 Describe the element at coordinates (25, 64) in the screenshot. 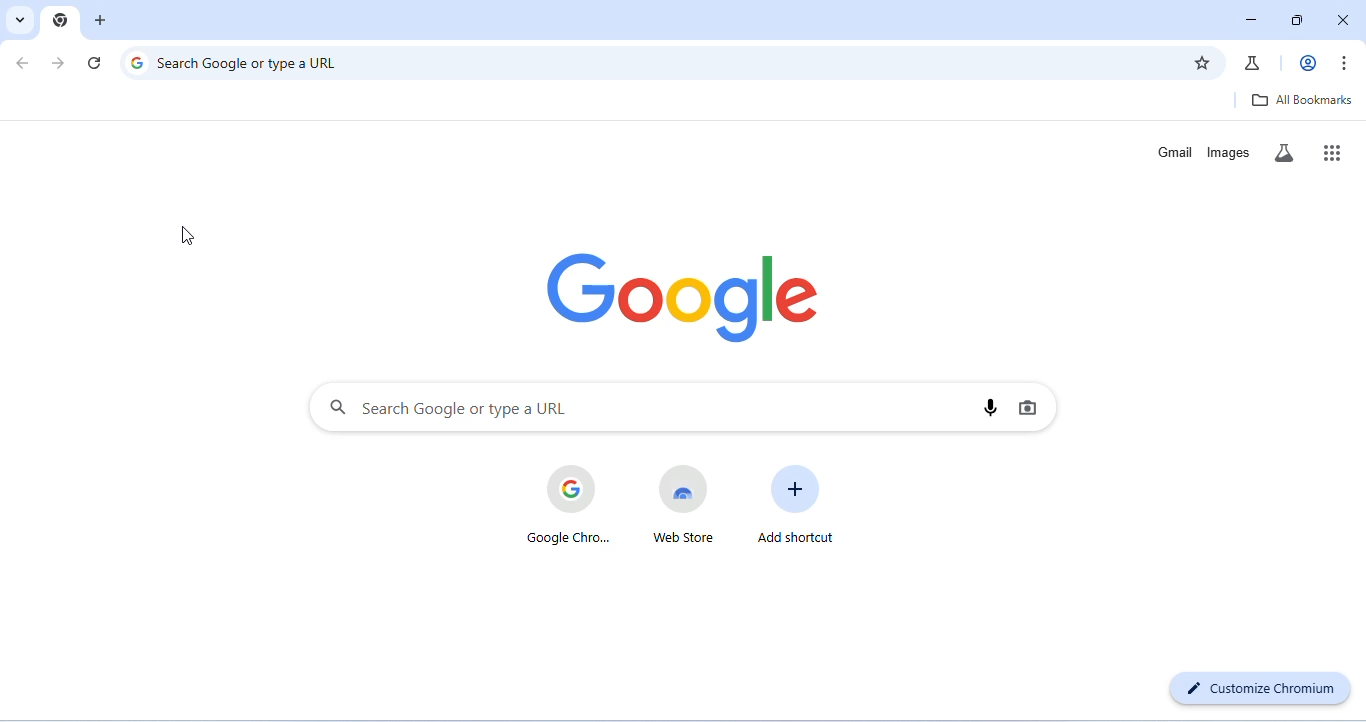

I see `go back` at that location.